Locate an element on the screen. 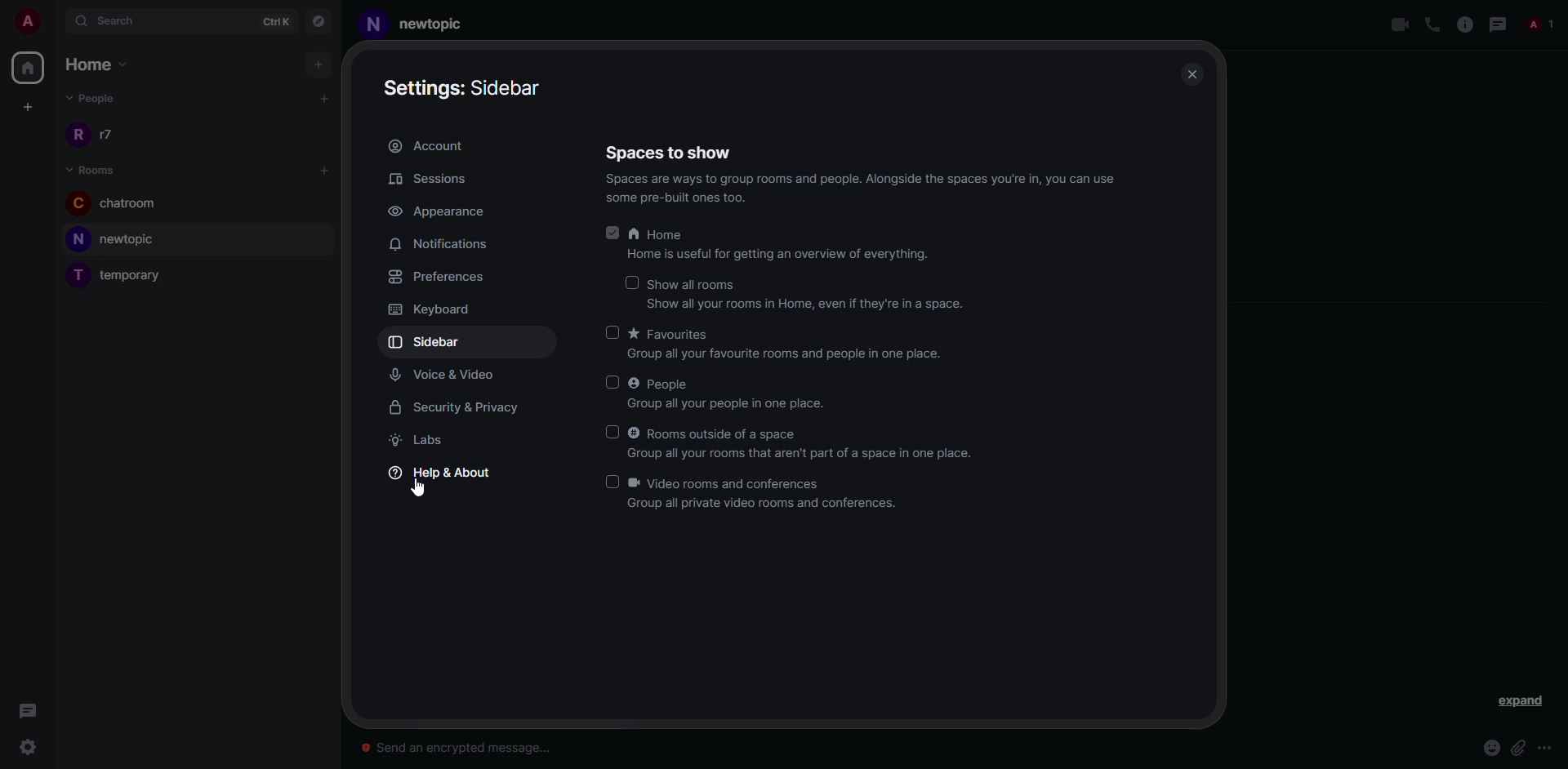  show all is located at coordinates (696, 284).